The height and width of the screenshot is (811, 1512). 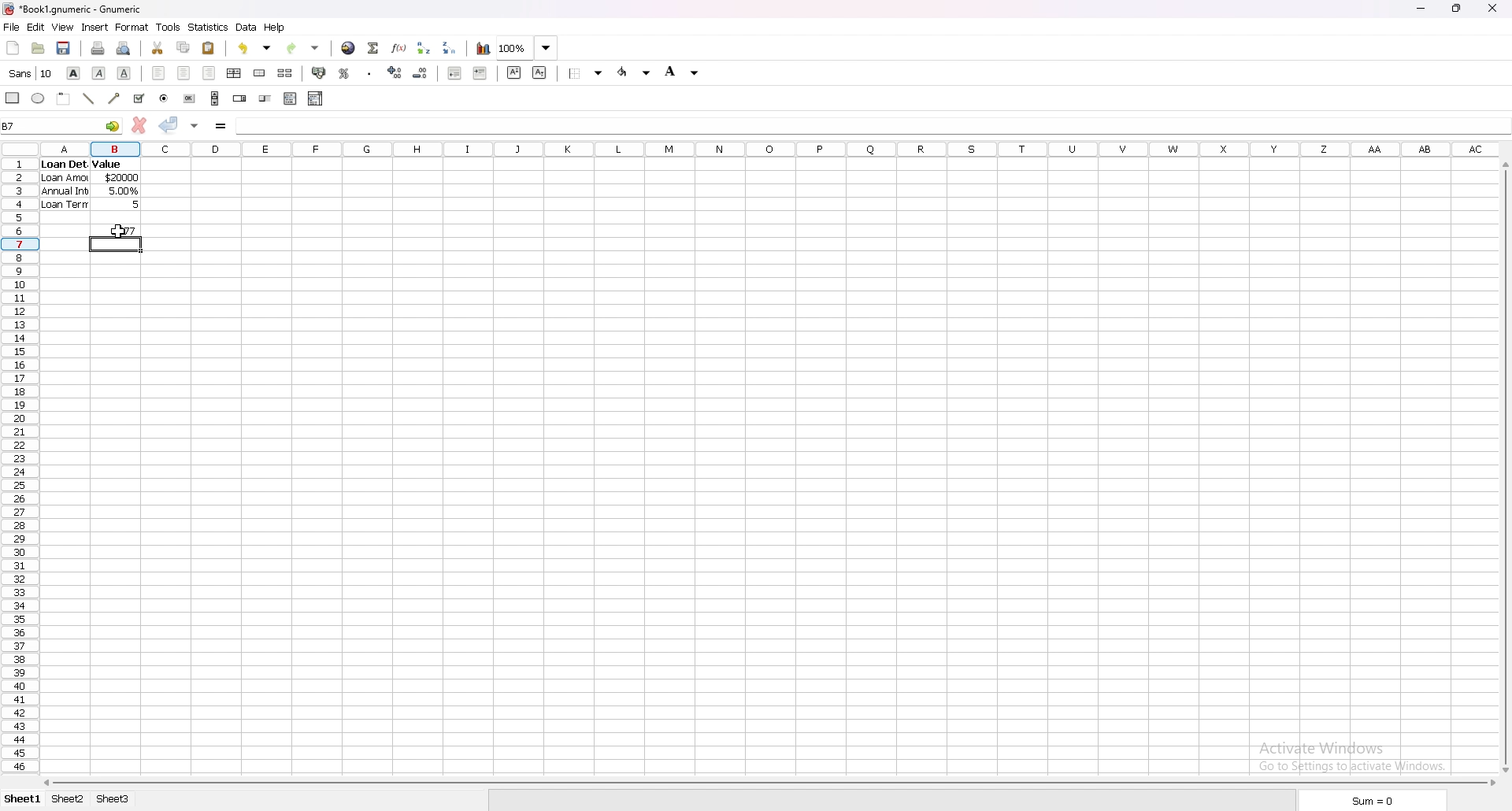 What do you see at coordinates (209, 72) in the screenshot?
I see `right align` at bounding box center [209, 72].